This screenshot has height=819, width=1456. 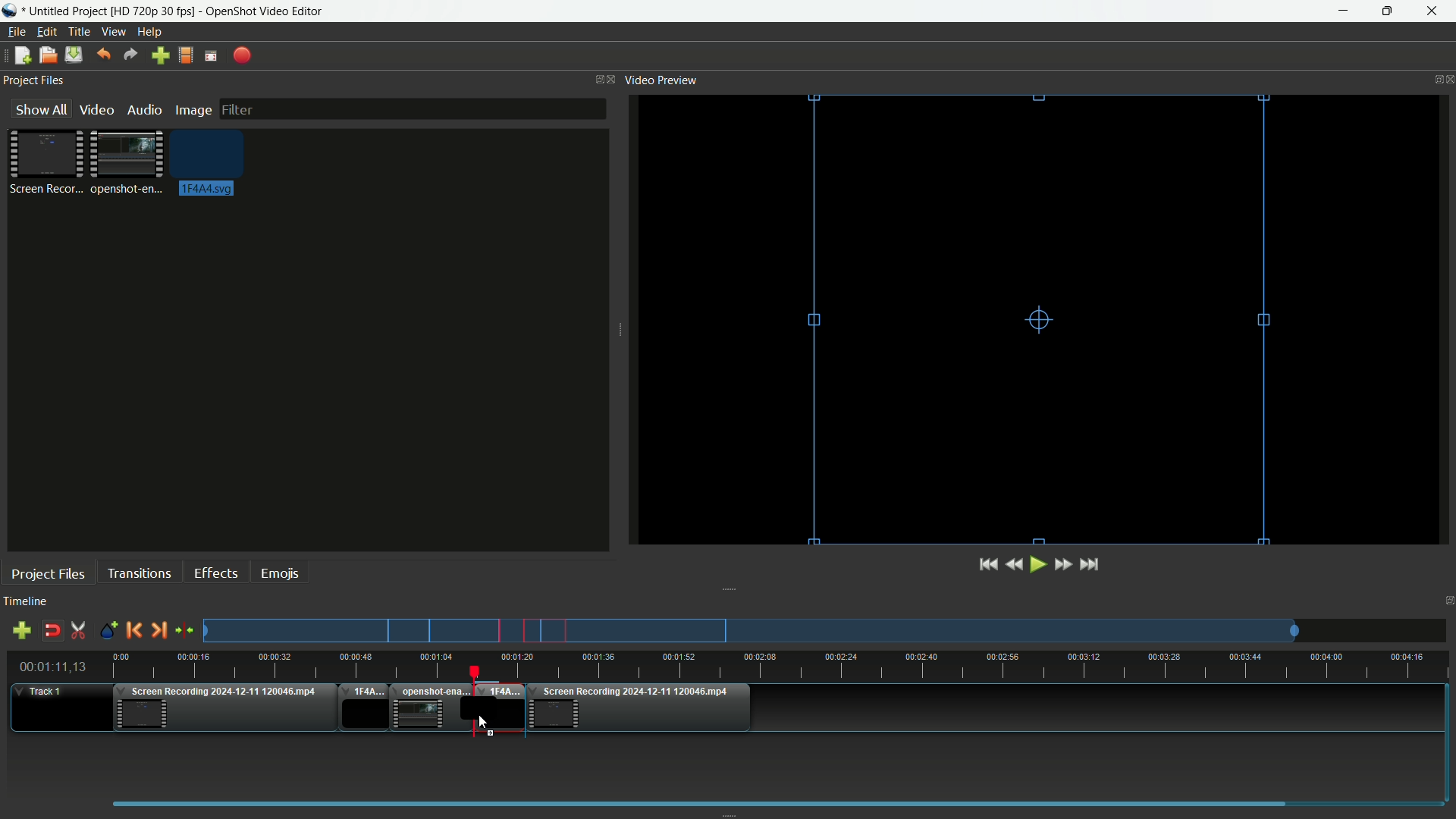 I want to click on Video one in timeline, so click(x=222, y=711).